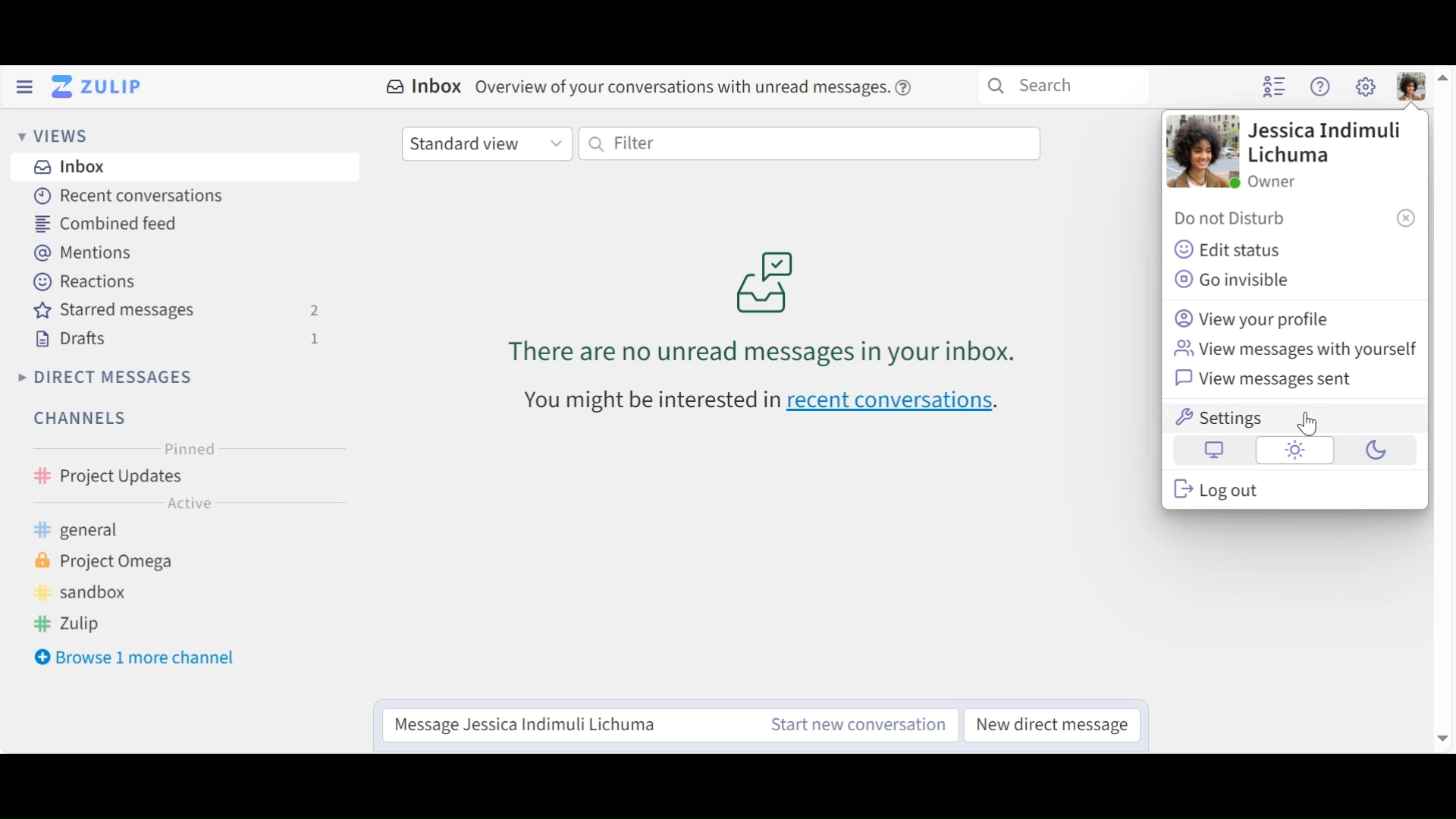  What do you see at coordinates (777, 406) in the screenshot?
I see `You might be interested in recent conversations.` at bounding box center [777, 406].